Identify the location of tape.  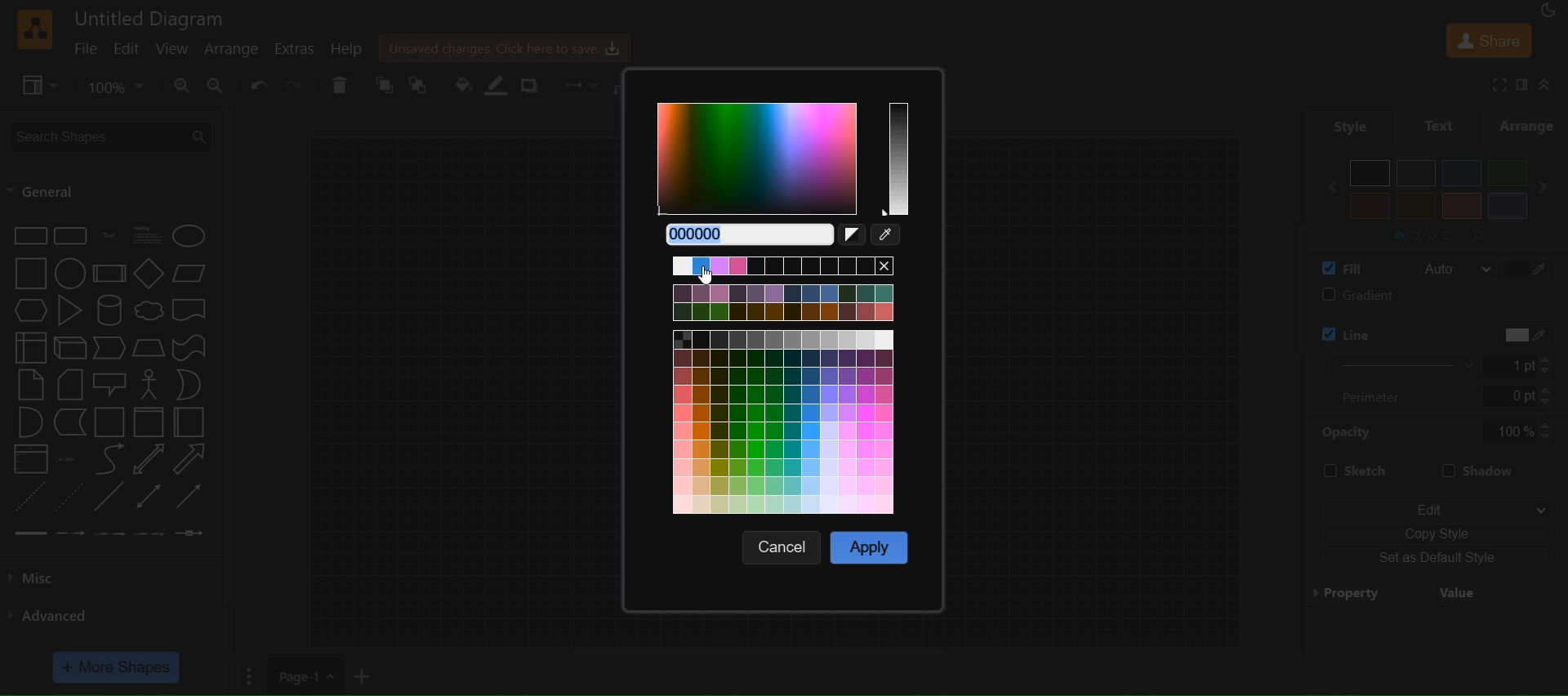
(192, 346).